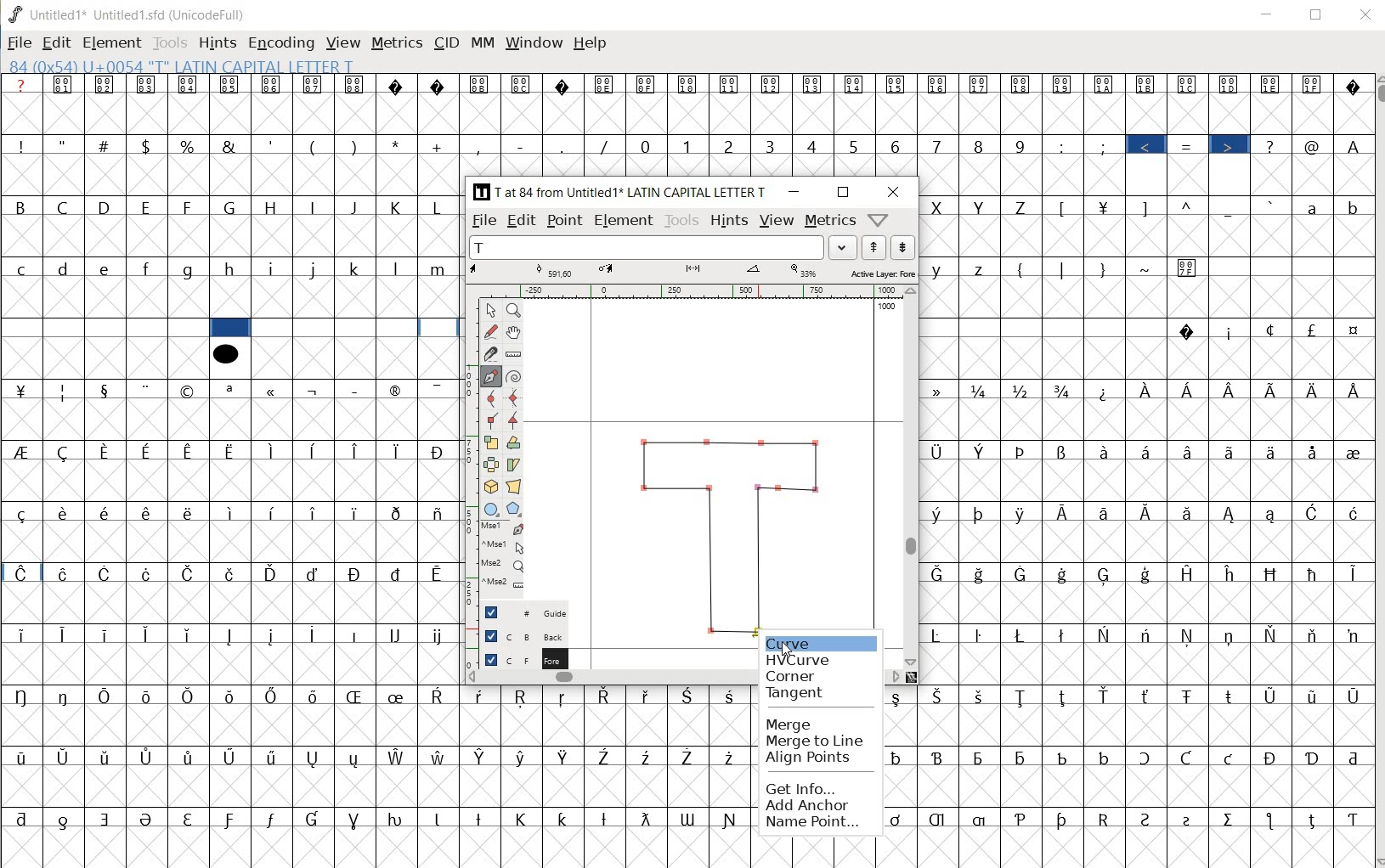  Describe the element at coordinates (565, 757) in the screenshot. I see `Symbol` at that location.